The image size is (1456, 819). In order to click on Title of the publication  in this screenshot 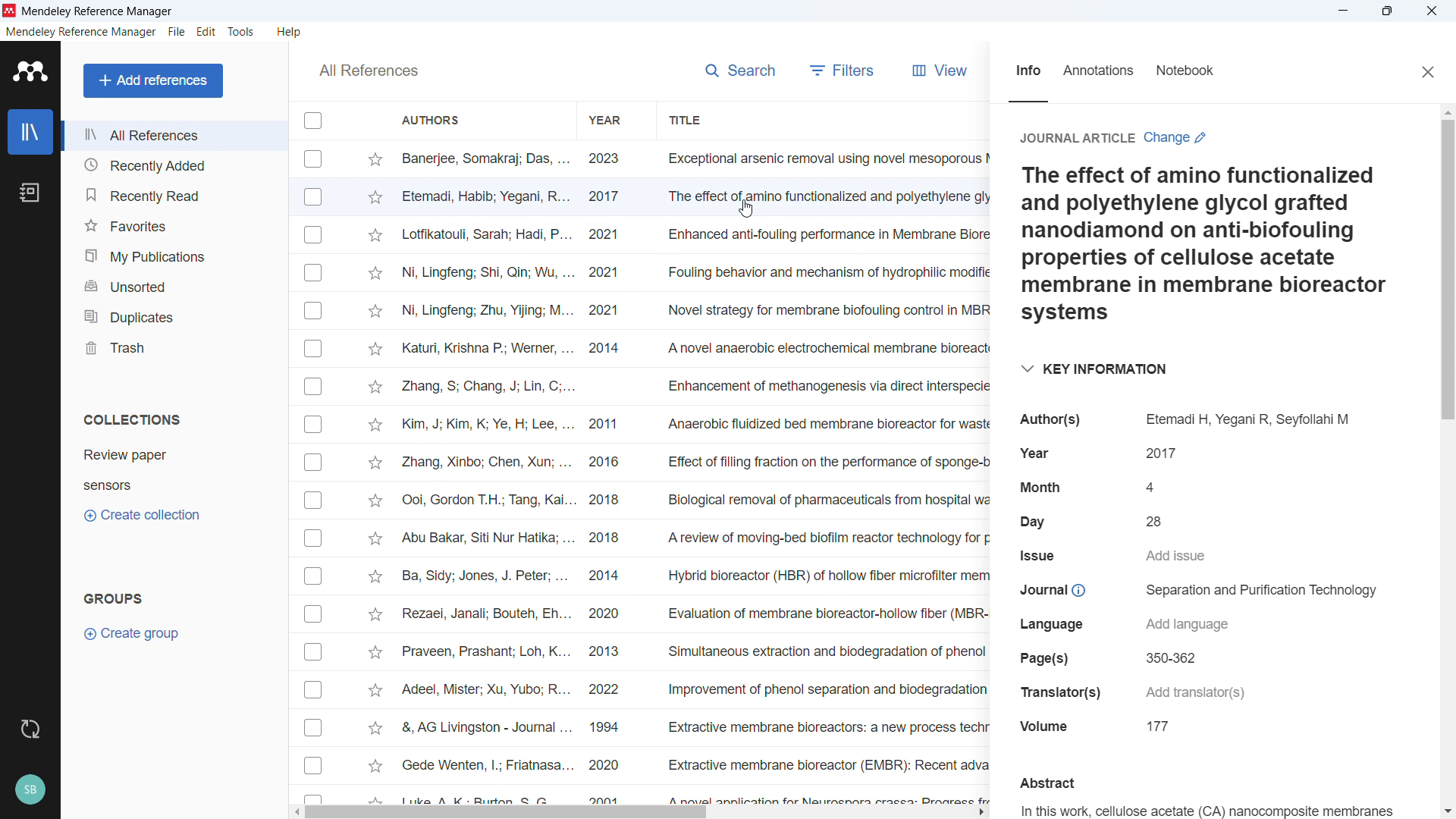, I will do `click(1206, 247)`.